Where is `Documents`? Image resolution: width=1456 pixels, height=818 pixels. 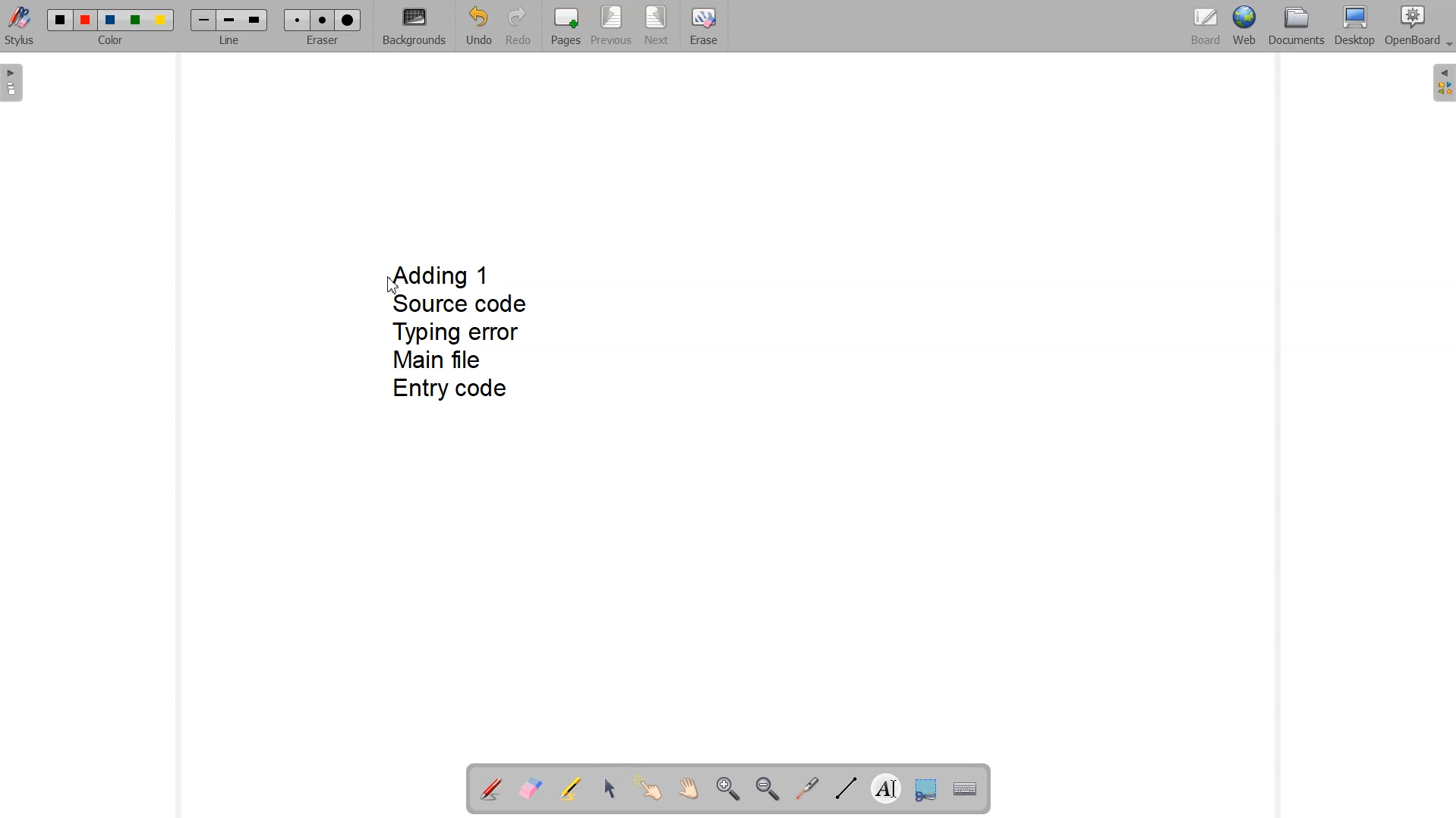 Documents is located at coordinates (1297, 27).